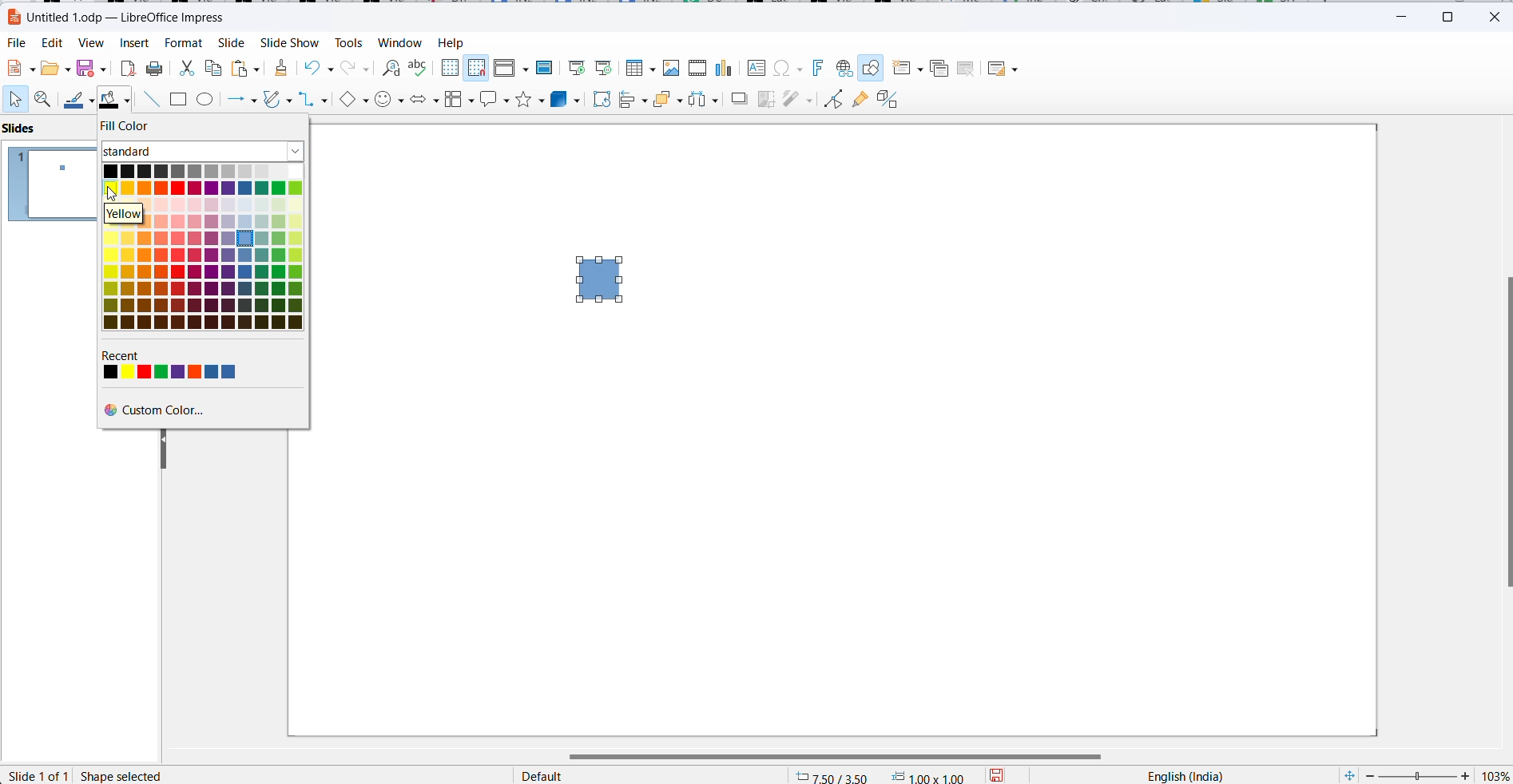  What do you see at coordinates (153, 101) in the screenshot?
I see `line` at bounding box center [153, 101].